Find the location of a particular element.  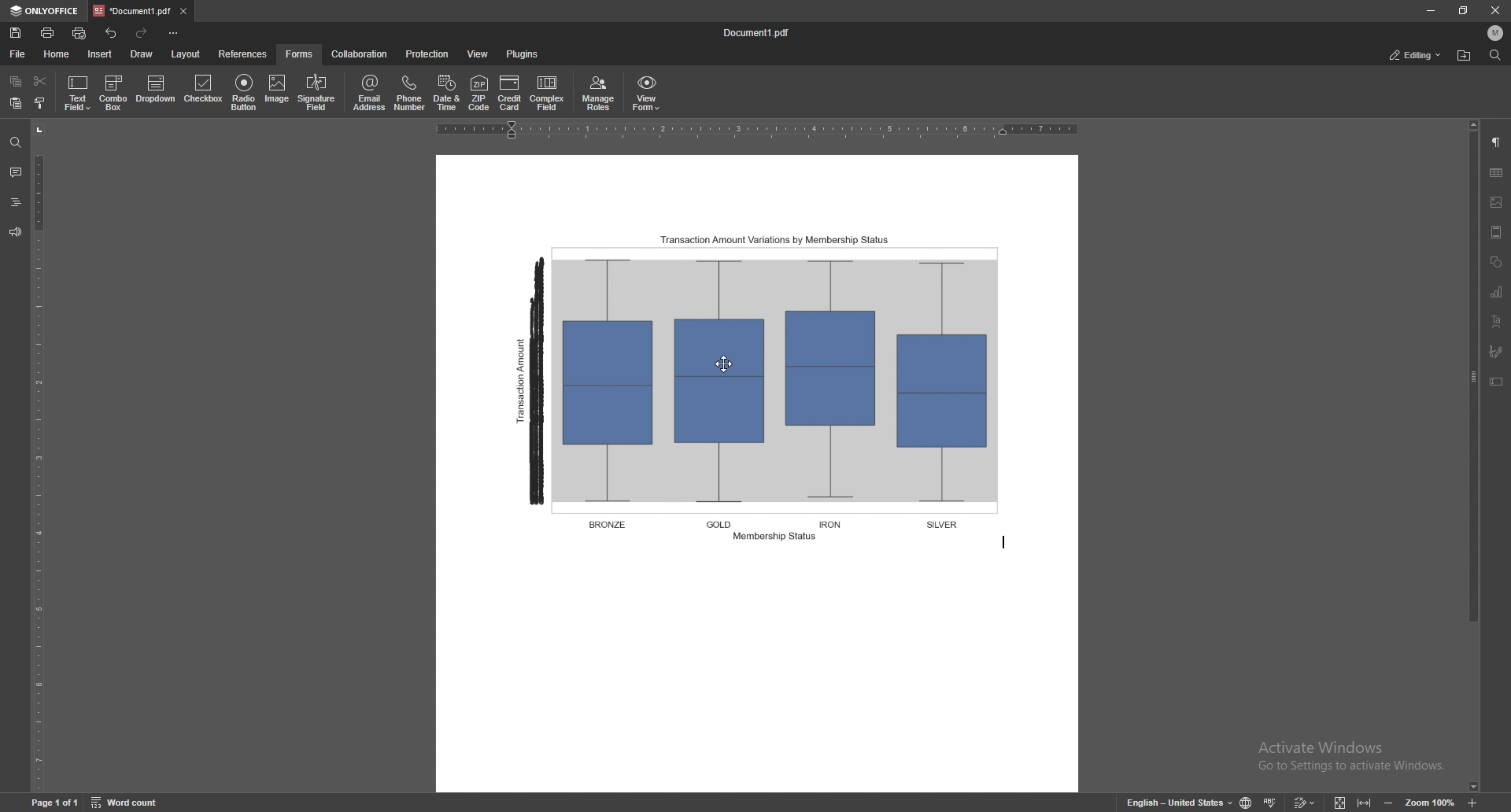

paste is located at coordinates (16, 104).